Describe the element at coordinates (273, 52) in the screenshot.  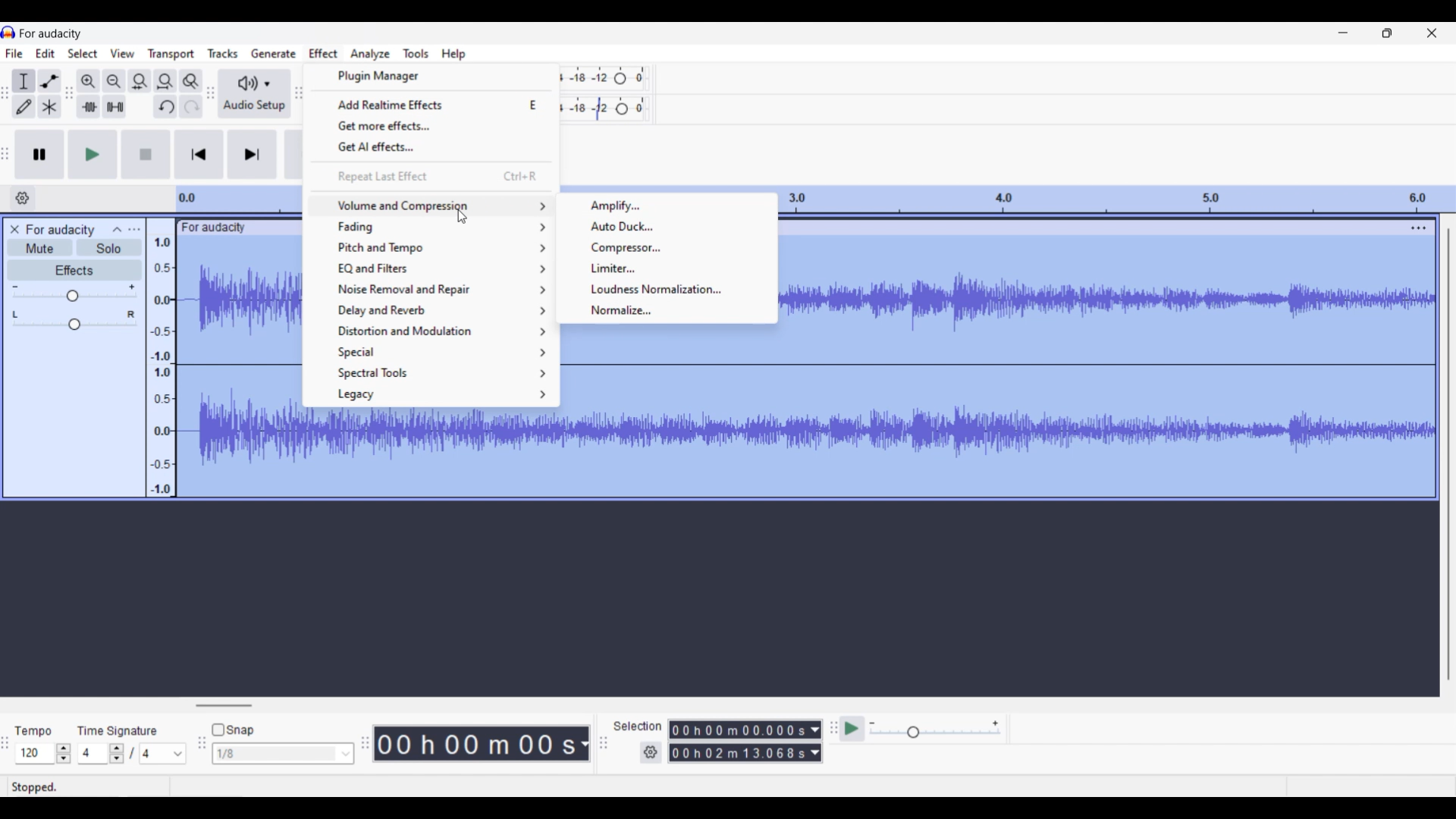
I see `Generate menu` at that location.